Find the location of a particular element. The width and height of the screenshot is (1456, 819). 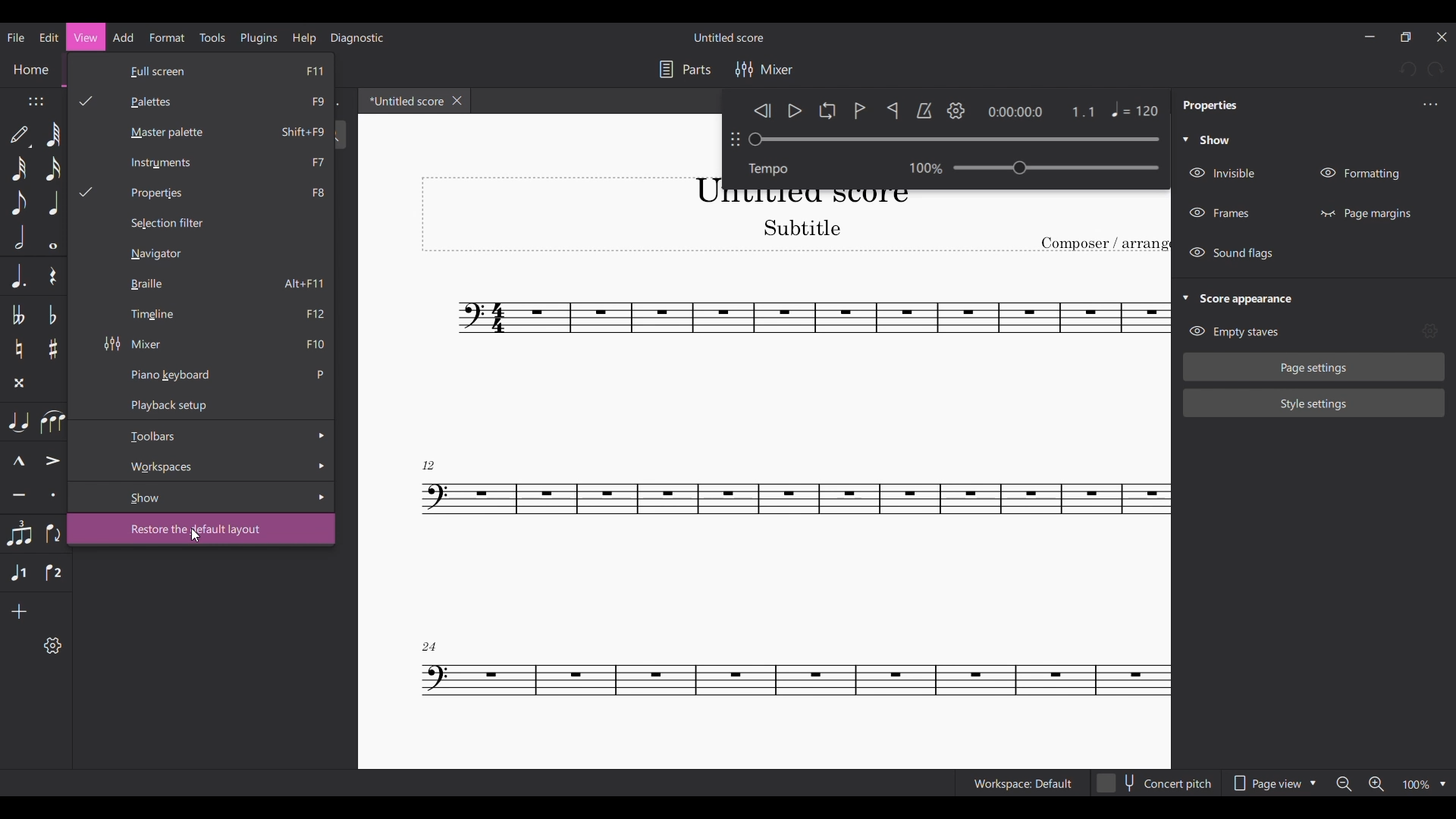

Restore the default layout is located at coordinates (212, 529).